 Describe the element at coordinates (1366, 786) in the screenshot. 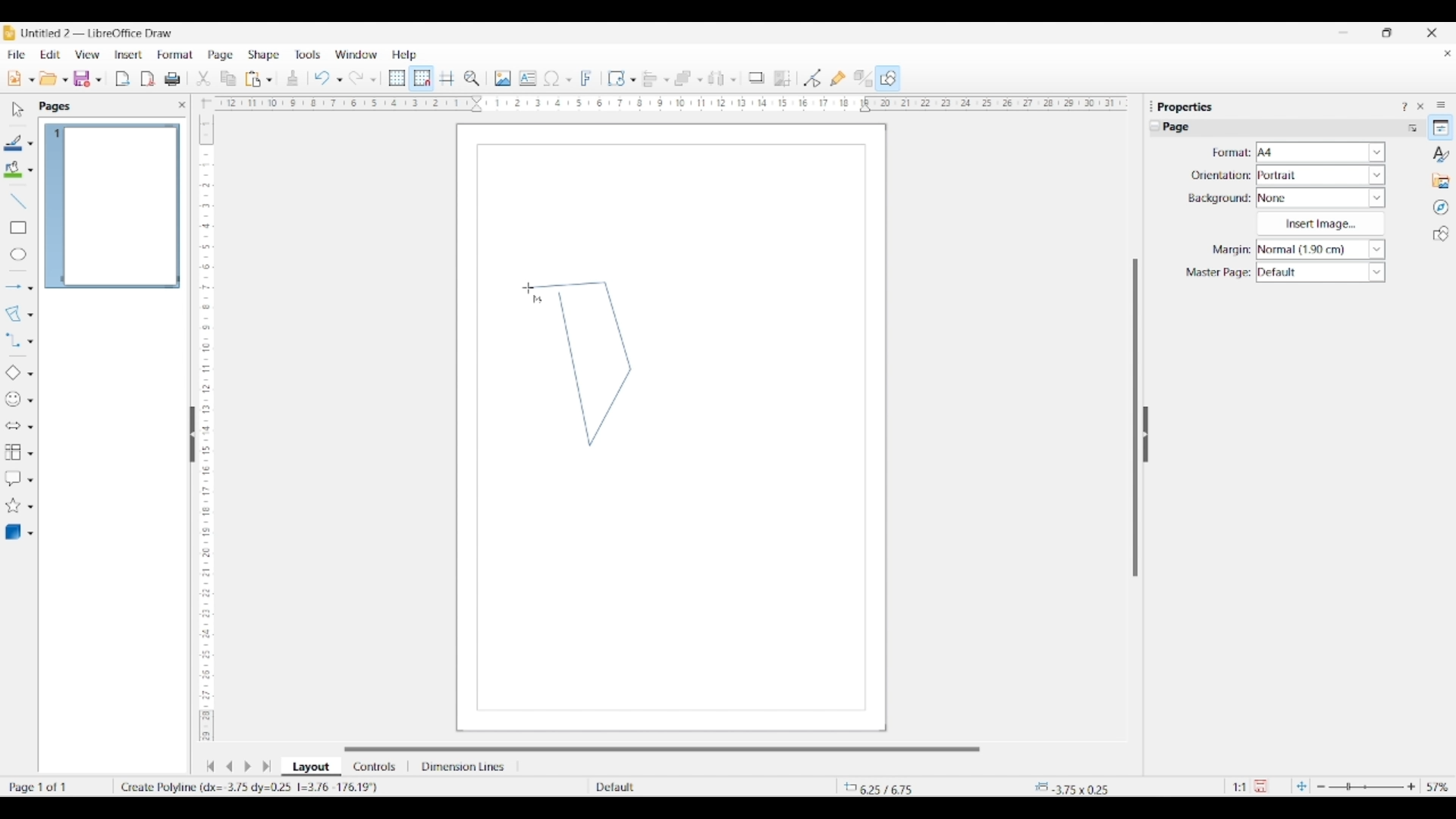

I see `Slider to change zoom in/out` at that location.